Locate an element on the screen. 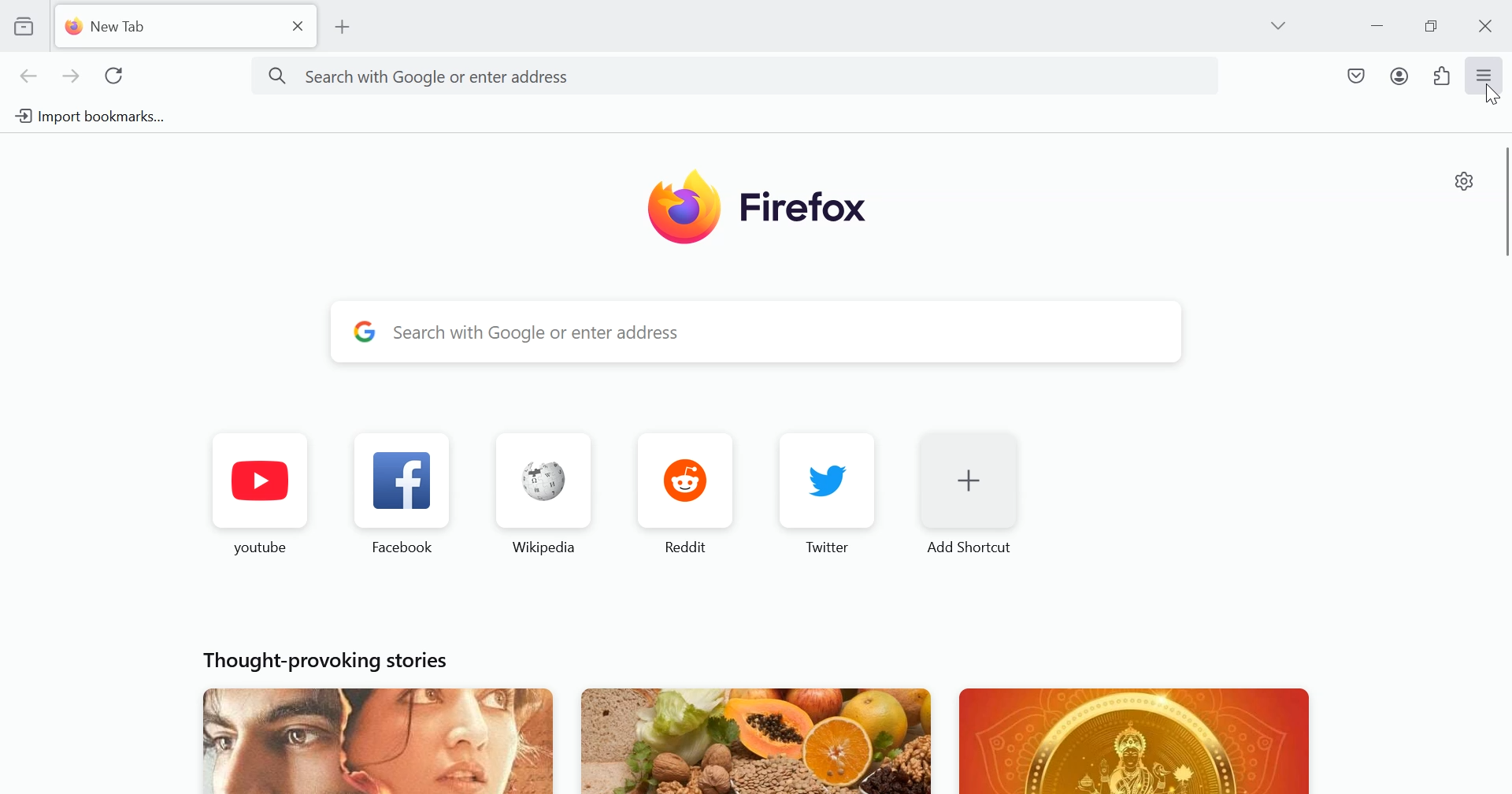 This screenshot has height=794, width=1512. Add New tab is located at coordinates (344, 27).